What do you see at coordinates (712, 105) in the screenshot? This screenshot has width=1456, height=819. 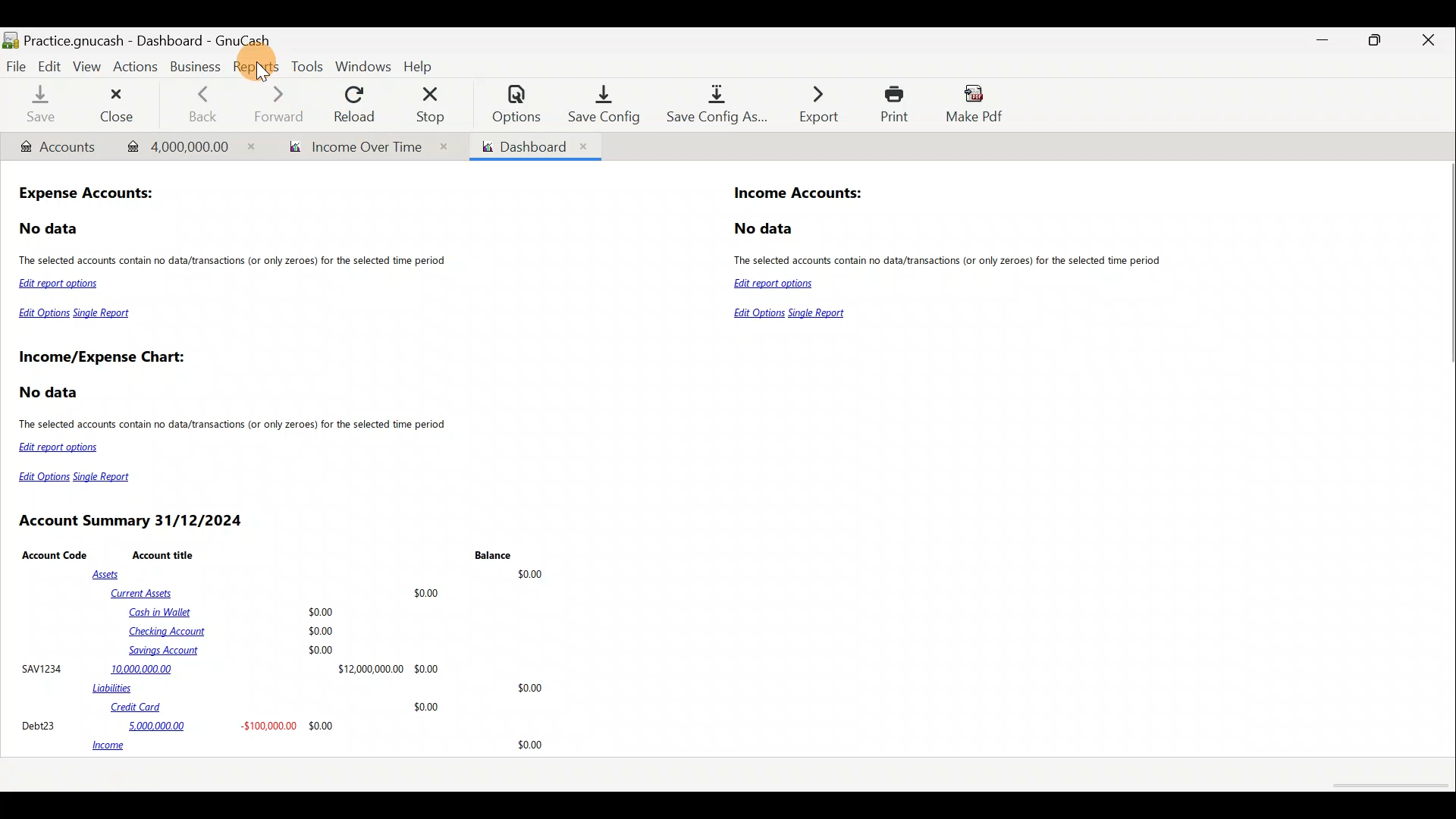 I see `Save config as` at bounding box center [712, 105].